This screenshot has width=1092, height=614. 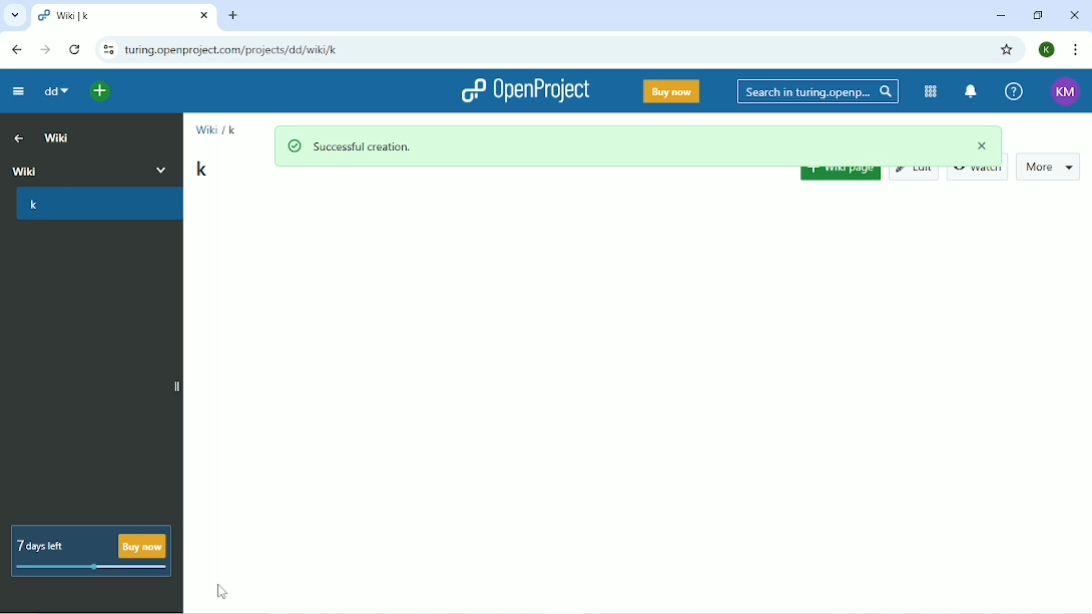 What do you see at coordinates (234, 51) in the screenshot?
I see `Site` at bounding box center [234, 51].